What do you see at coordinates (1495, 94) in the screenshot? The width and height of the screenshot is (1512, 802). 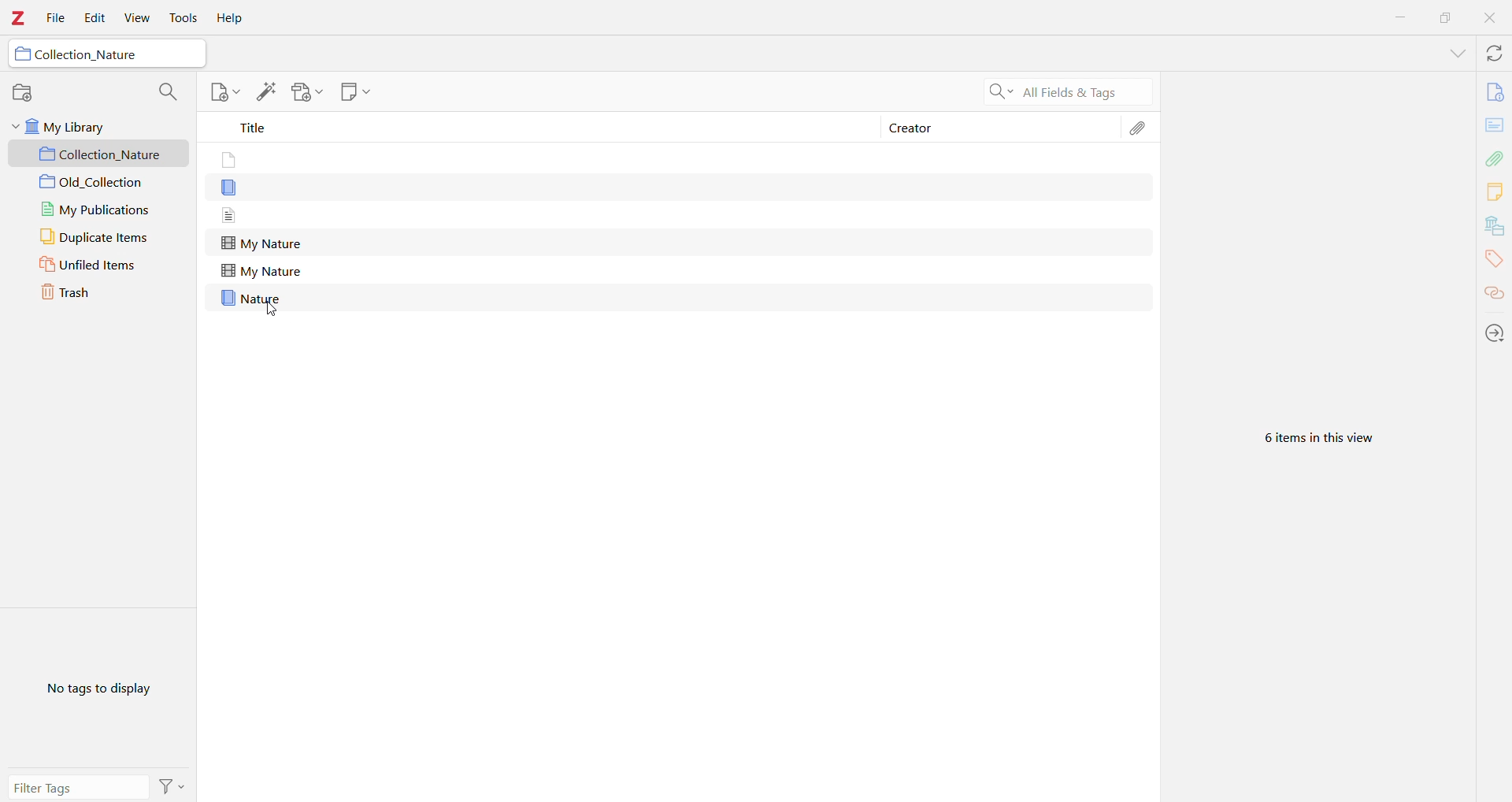 I see `Info` at bounding box center [1495, 94].